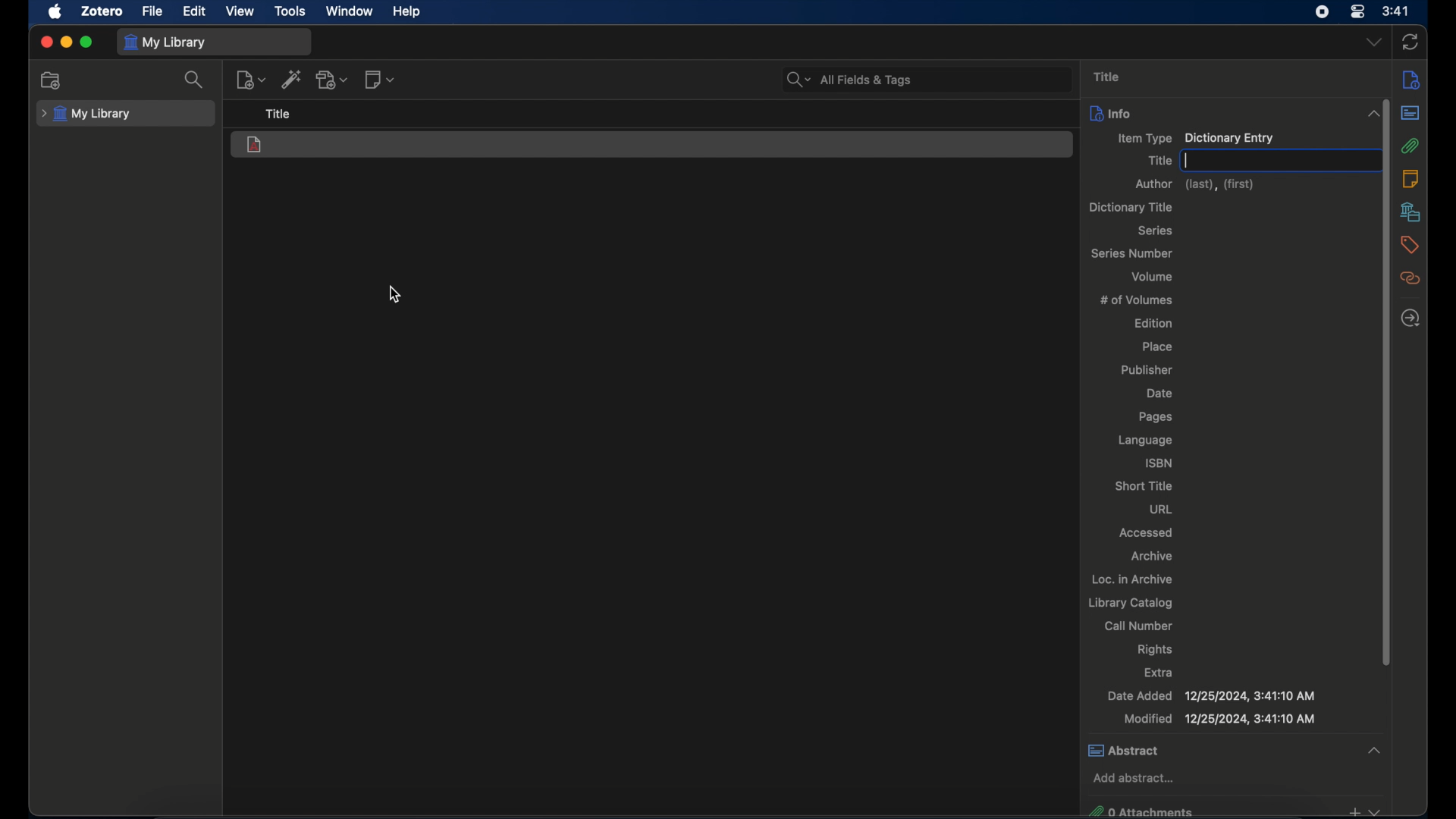  I want to click on abstract, so click(1237, 750).